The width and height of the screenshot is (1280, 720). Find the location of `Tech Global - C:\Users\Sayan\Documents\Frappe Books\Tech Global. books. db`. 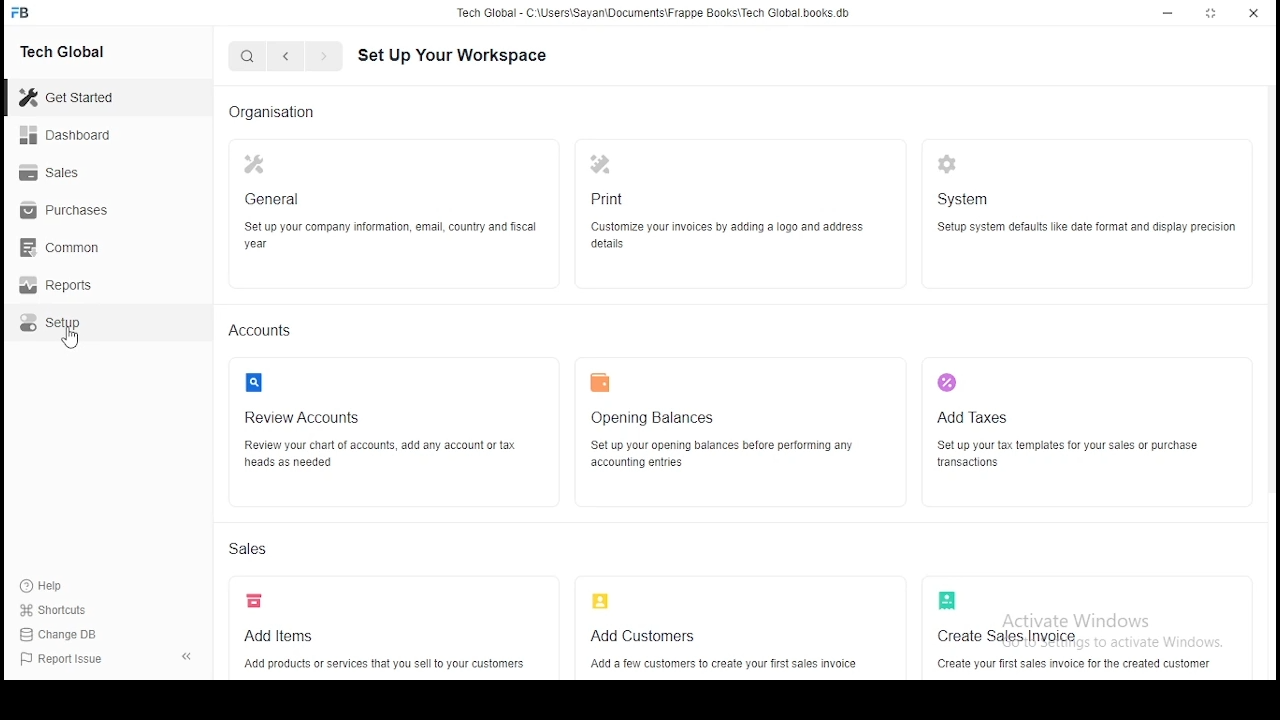

Tech Global - C:\Users\Sayan\Documents\Frappe Books\Tech Global. books. db is located at coordinates (653, 16).